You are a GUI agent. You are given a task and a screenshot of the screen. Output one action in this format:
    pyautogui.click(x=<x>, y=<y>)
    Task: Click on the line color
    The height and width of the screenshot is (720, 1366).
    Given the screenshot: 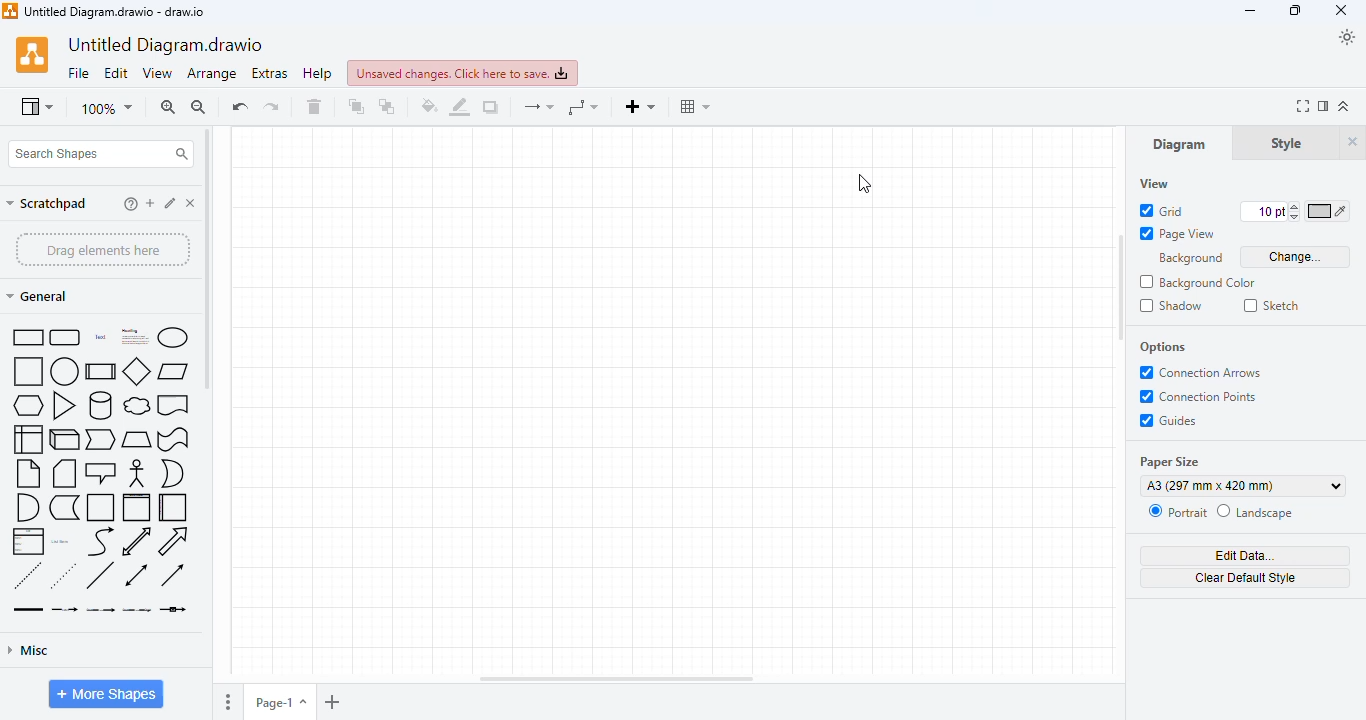 What is the action you would take?
    pyautogui.click(x=460, y=107)
    